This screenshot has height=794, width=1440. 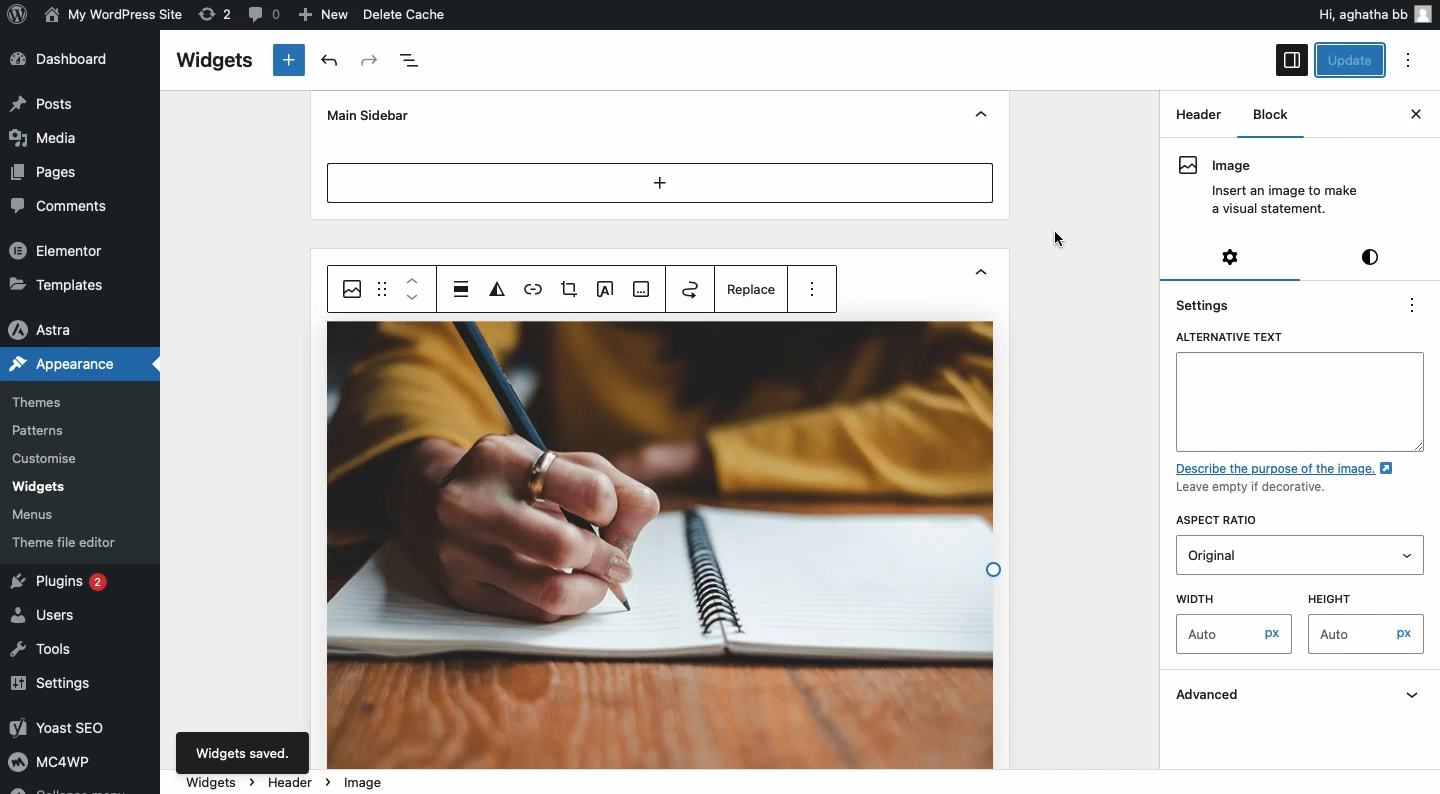 I want to click on Add, so click(x=661, y=182).